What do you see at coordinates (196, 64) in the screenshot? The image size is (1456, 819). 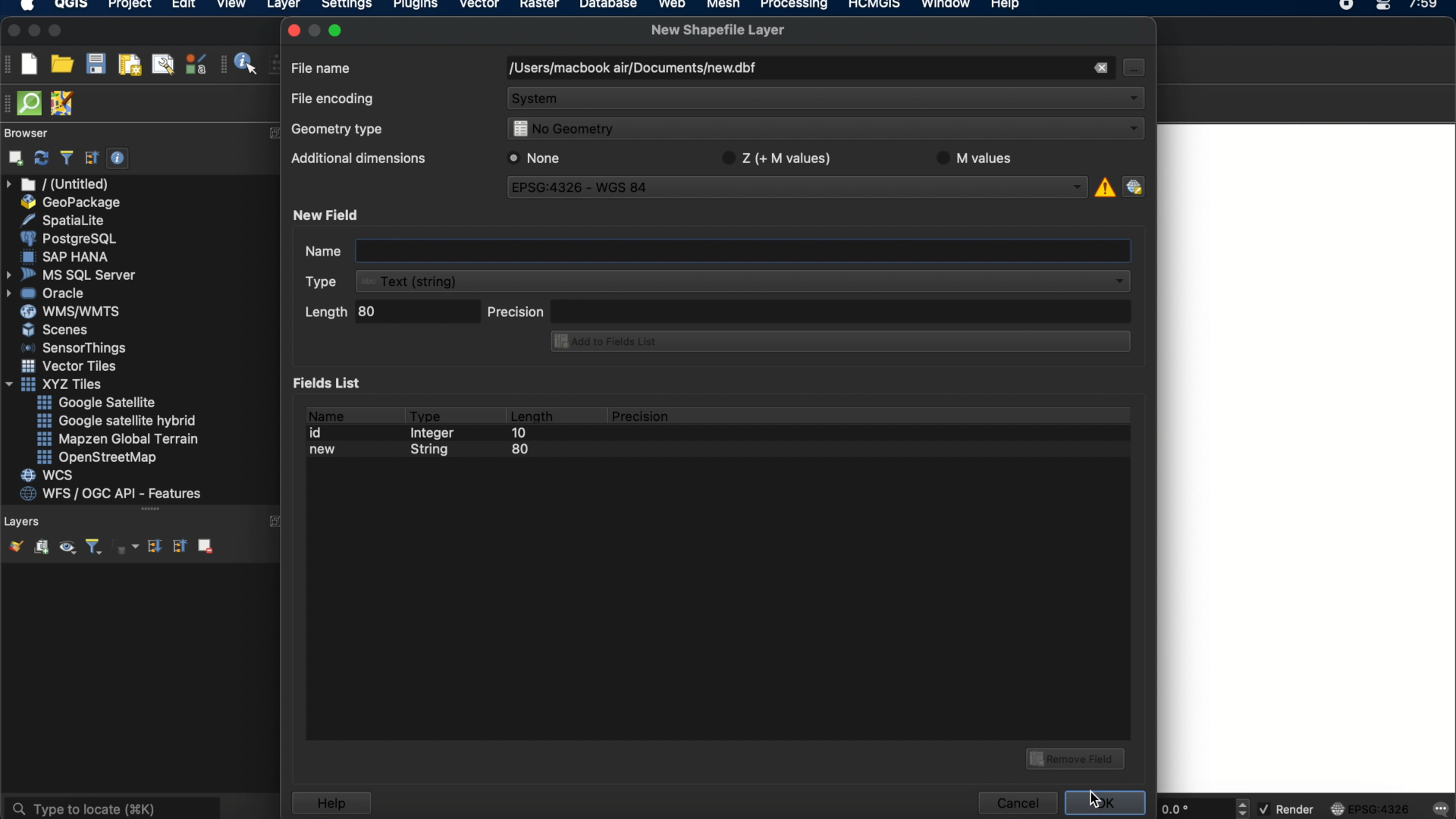 I see `style manager` at bounding box center [196, 64].